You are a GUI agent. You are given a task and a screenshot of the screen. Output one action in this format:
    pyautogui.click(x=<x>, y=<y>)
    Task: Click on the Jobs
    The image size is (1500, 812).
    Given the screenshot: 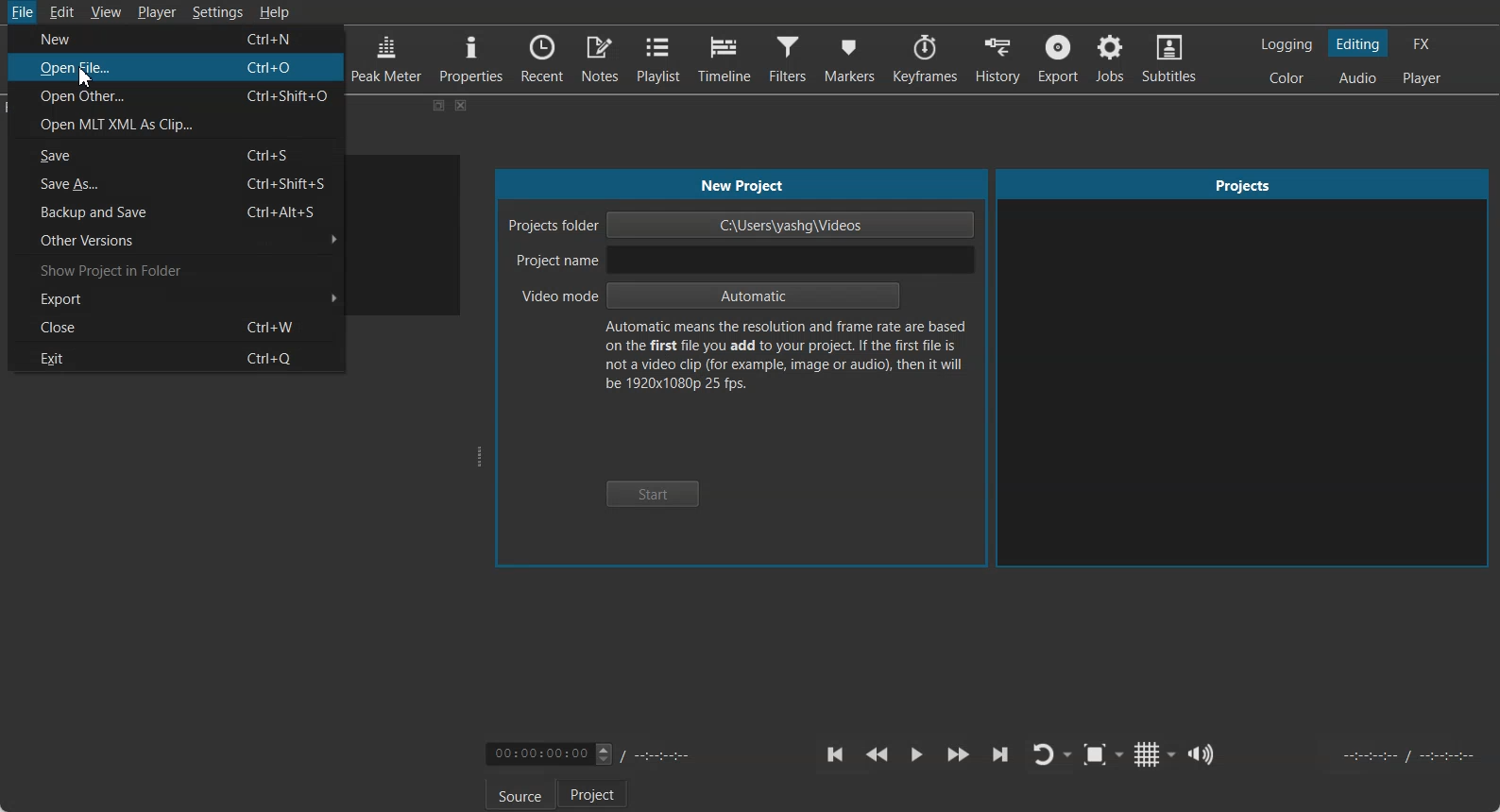 What is the action you would take?
    pyautogui.click(x=1112, y=59)
    